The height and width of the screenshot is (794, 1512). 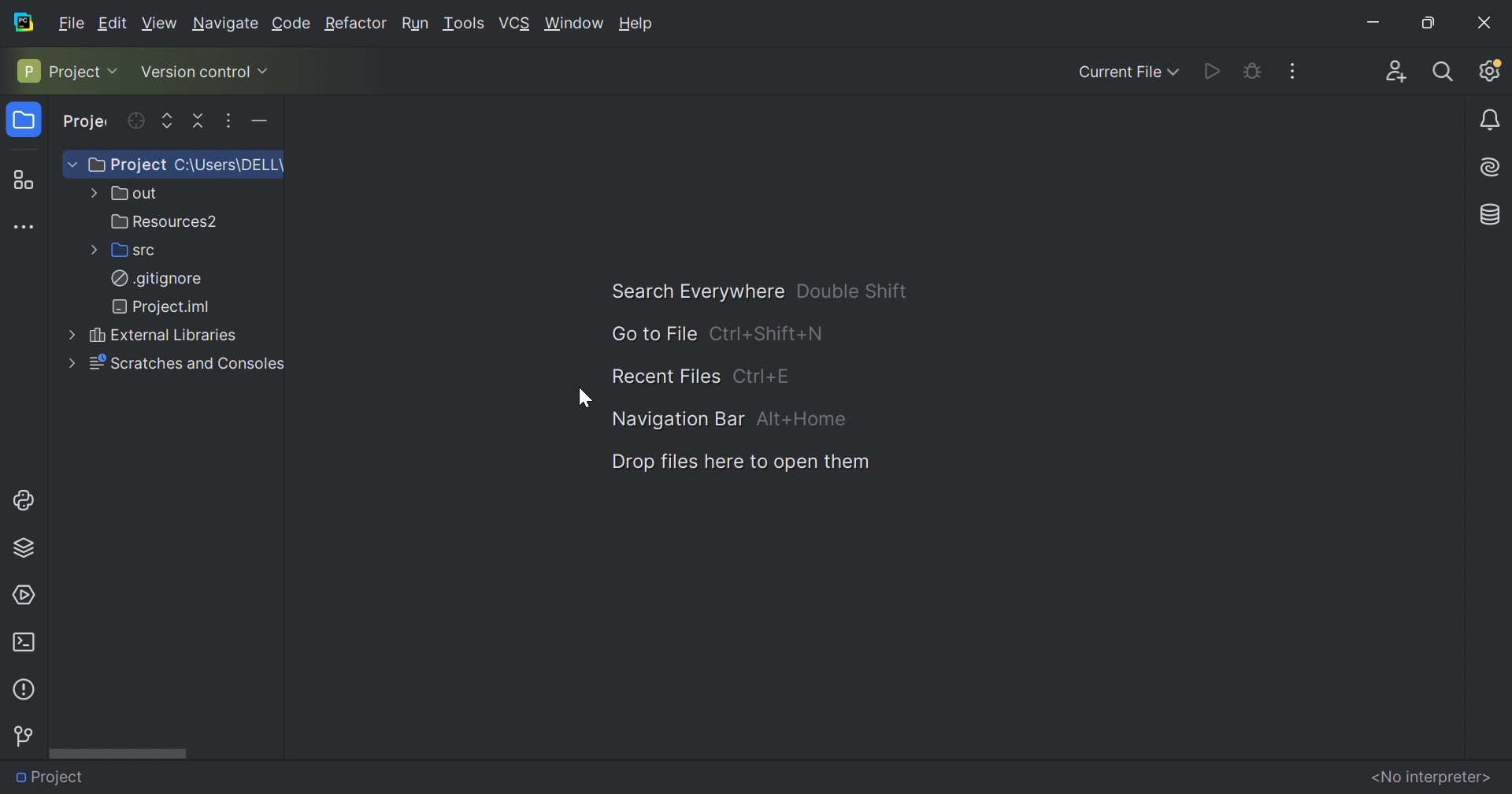 What do you see at coordinates (678, 421) in the screenshot?
I see `Navigation Bar` at bounding box center [678, 421].